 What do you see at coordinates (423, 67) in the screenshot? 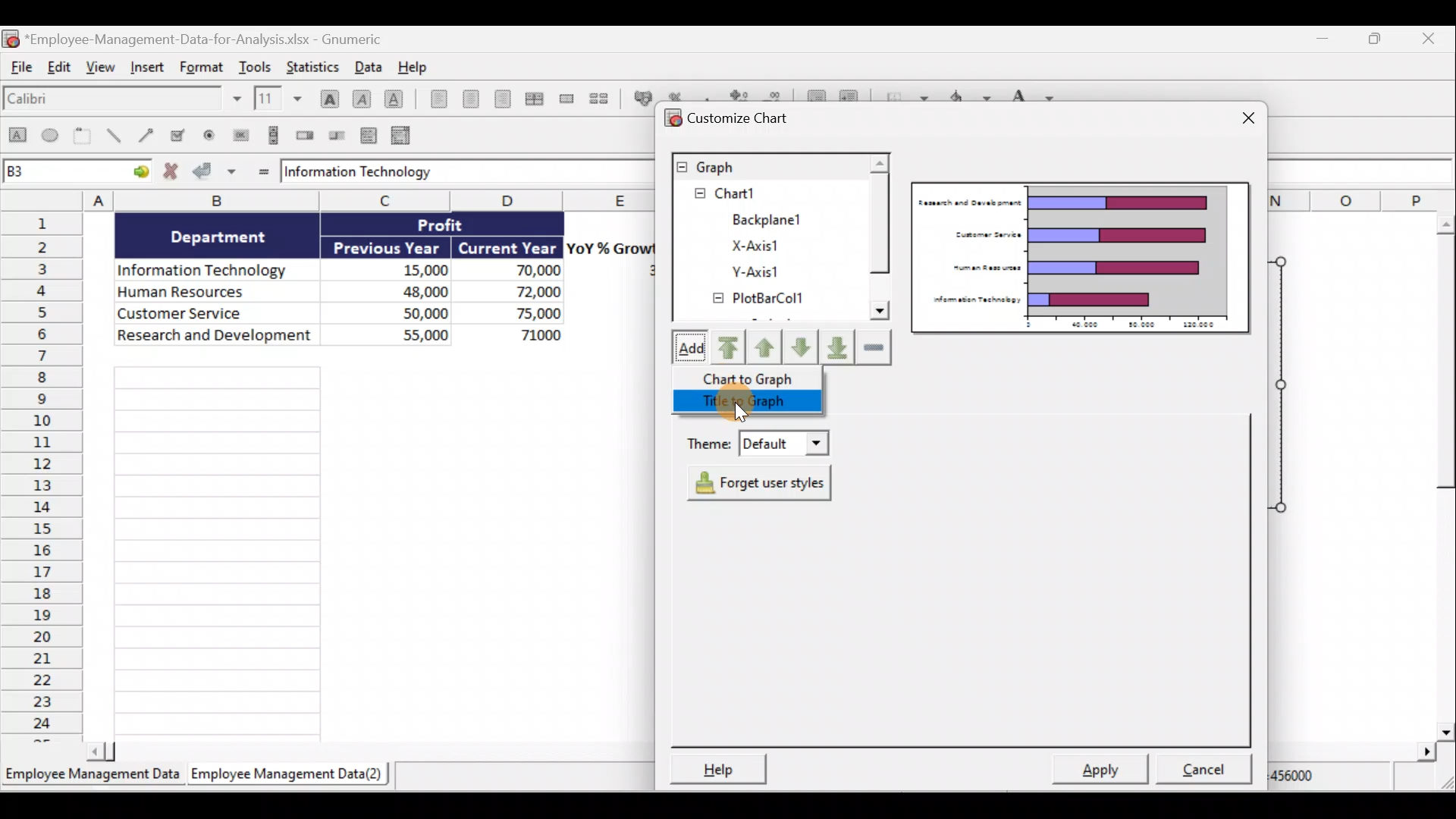
I see `Help` at bounding box center [423, 67].